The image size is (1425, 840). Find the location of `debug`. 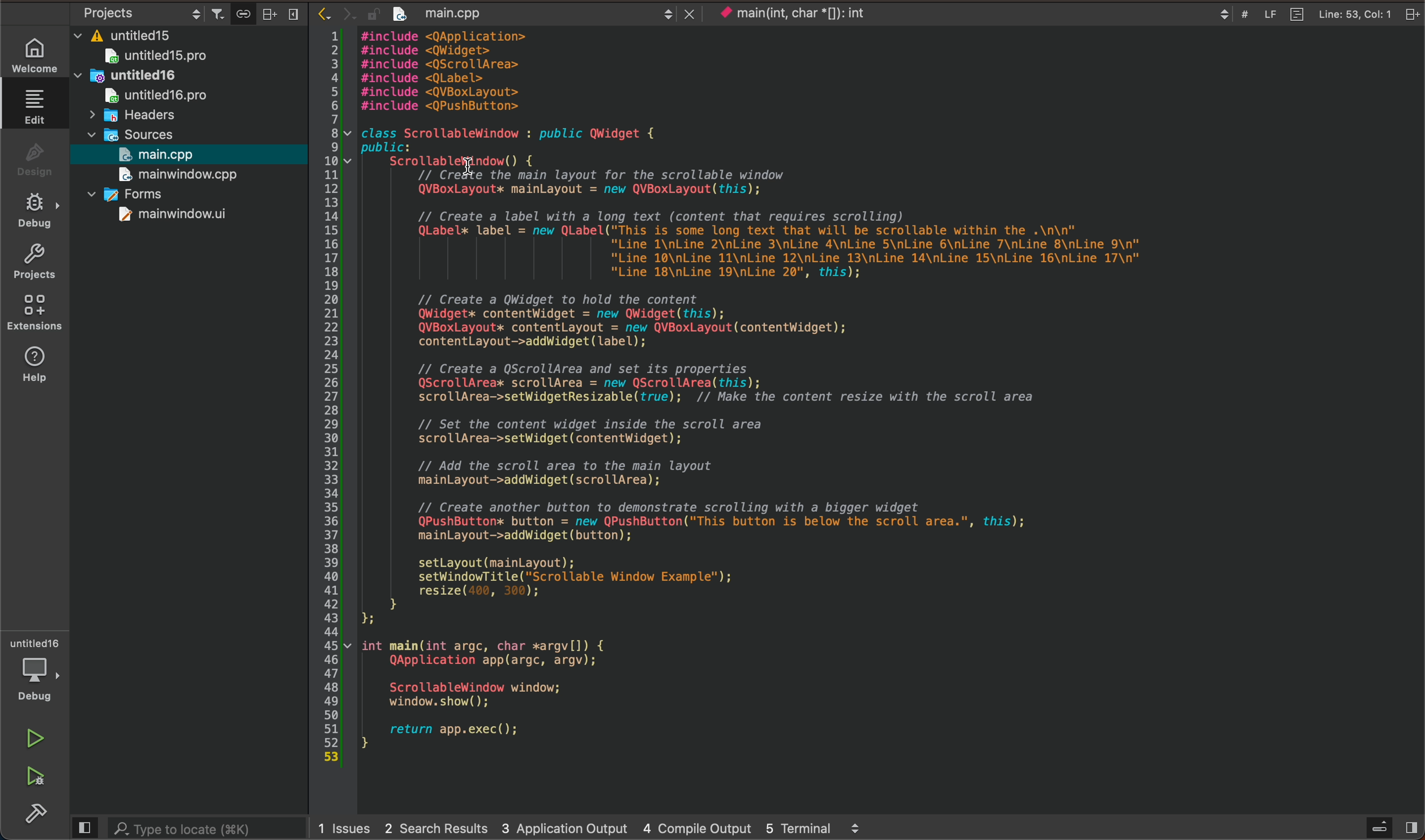

debug is located at coordinates (35, 212).